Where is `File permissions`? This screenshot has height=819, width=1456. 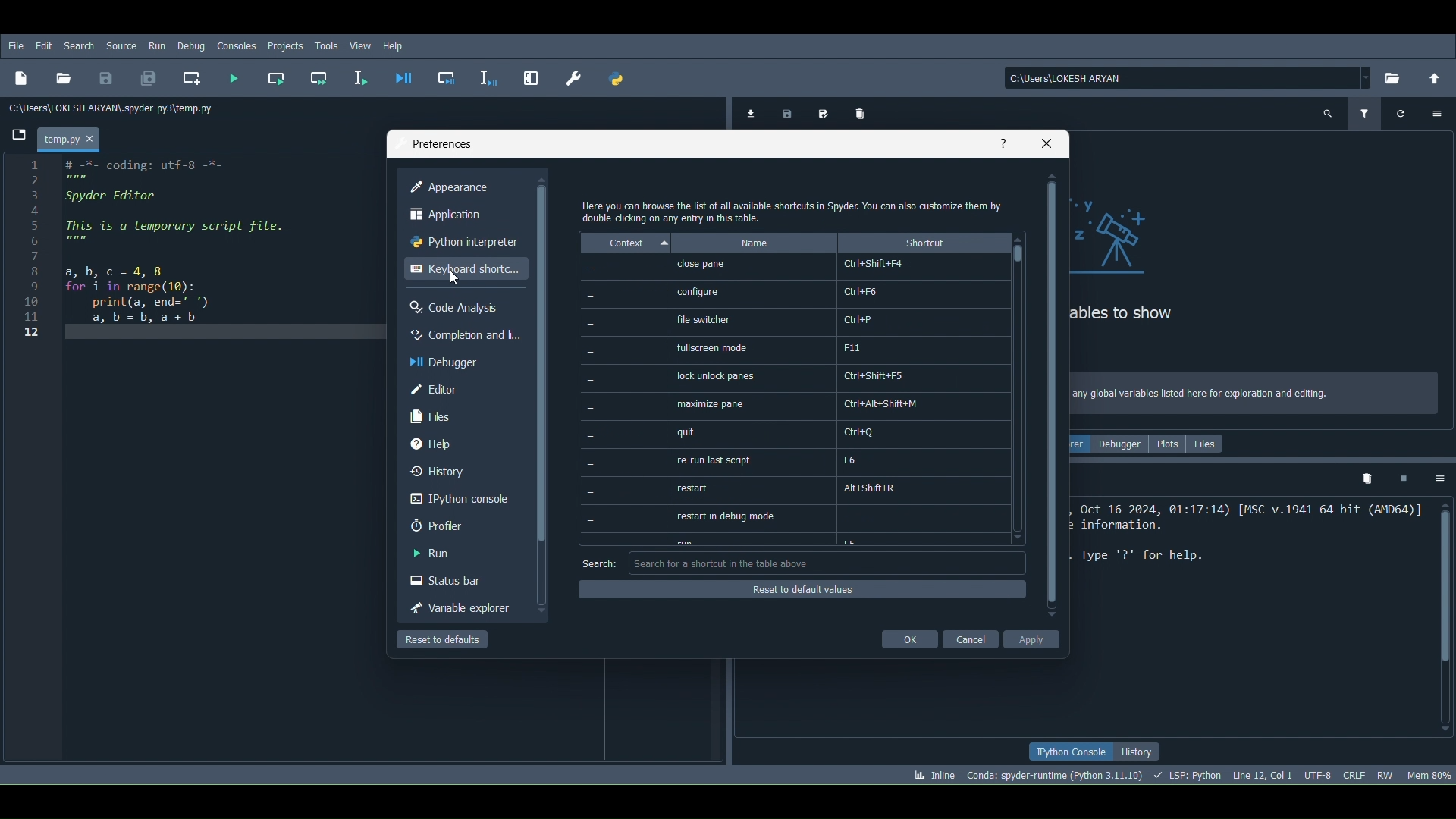
File permissions is located at coordinates (1385, 774).